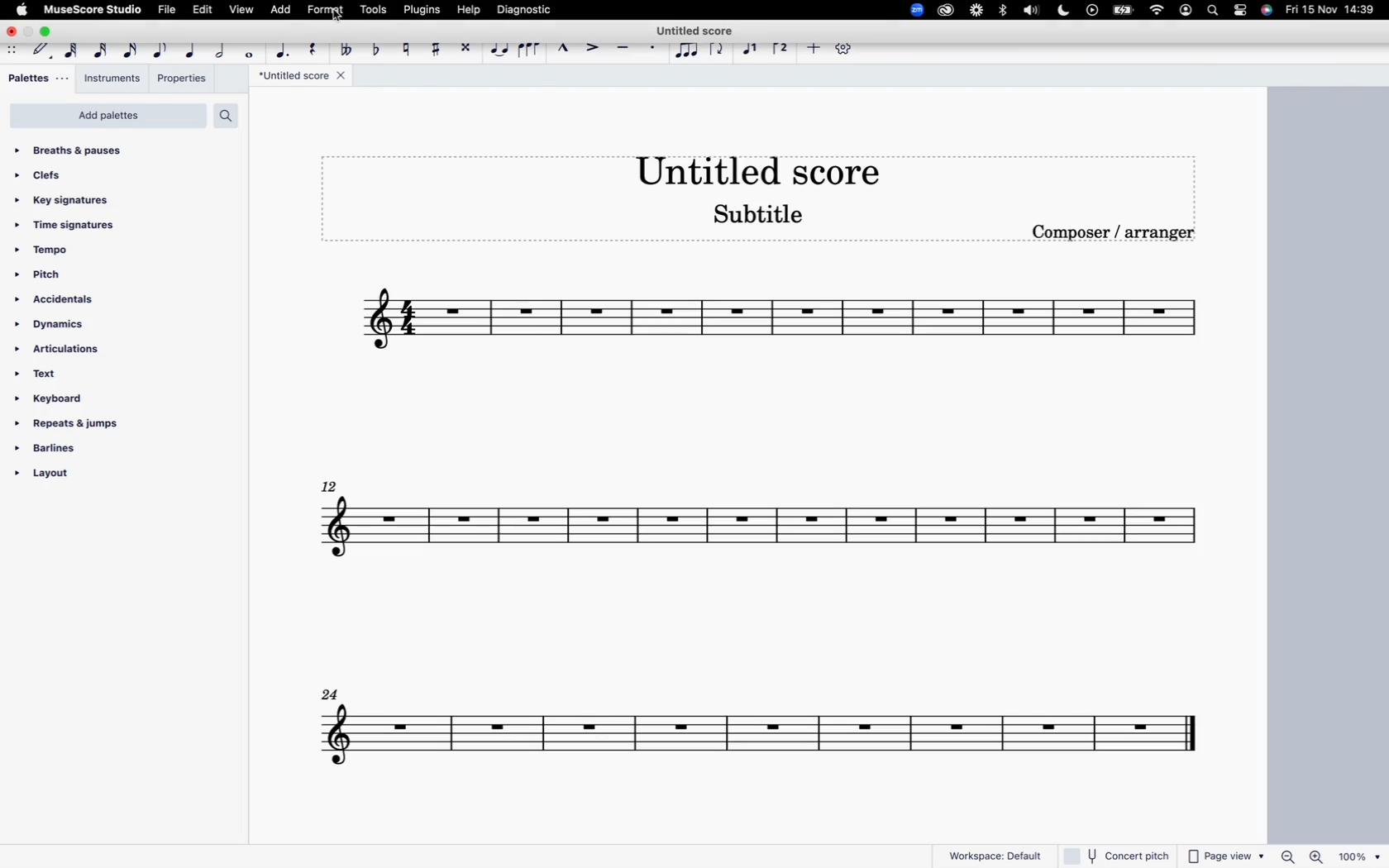  I want to click on date, so click(1333, 12).